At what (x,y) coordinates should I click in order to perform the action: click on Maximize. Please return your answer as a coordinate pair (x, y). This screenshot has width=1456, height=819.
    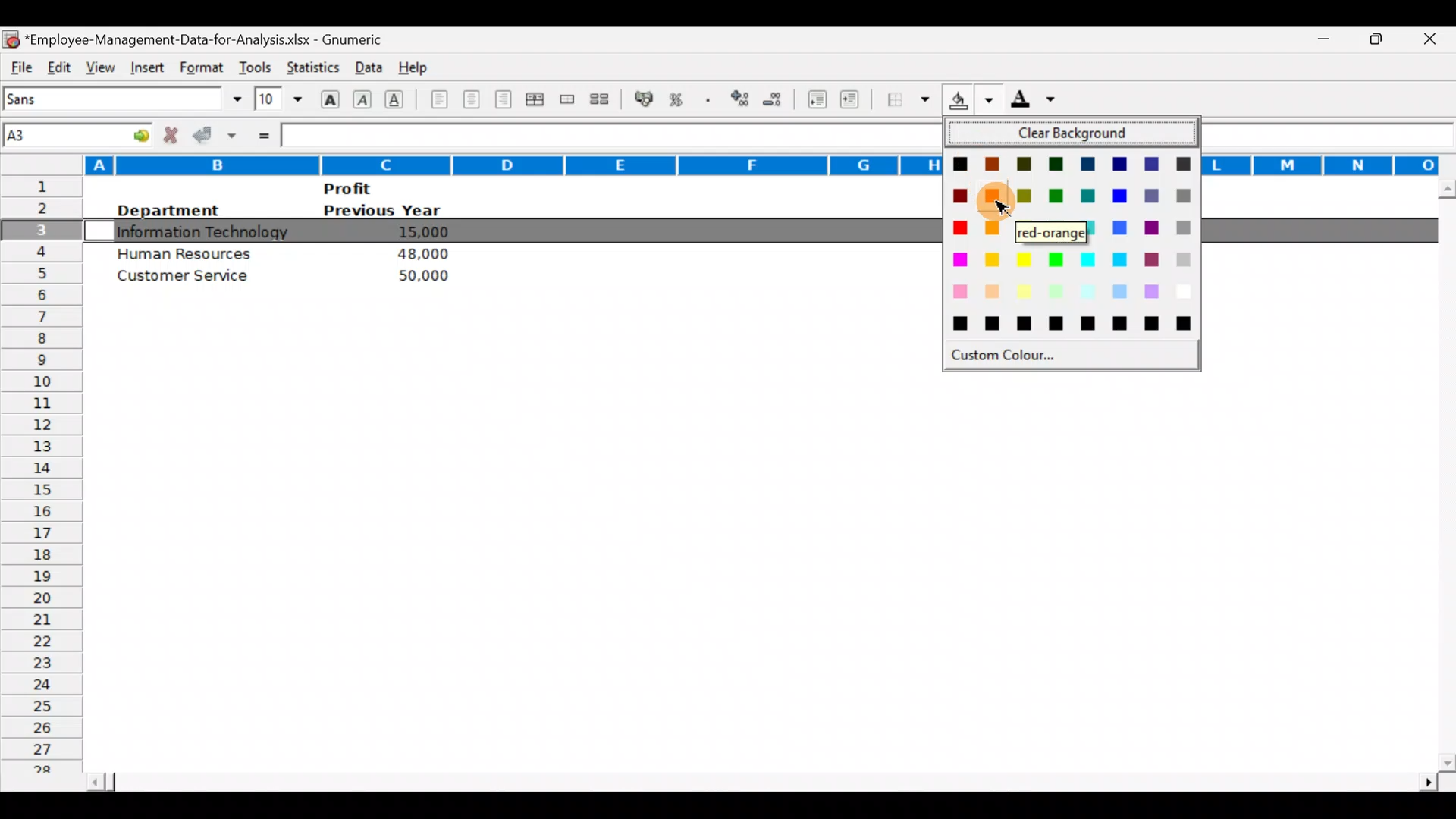
    Looking at the image, I should click on (1382, 37).